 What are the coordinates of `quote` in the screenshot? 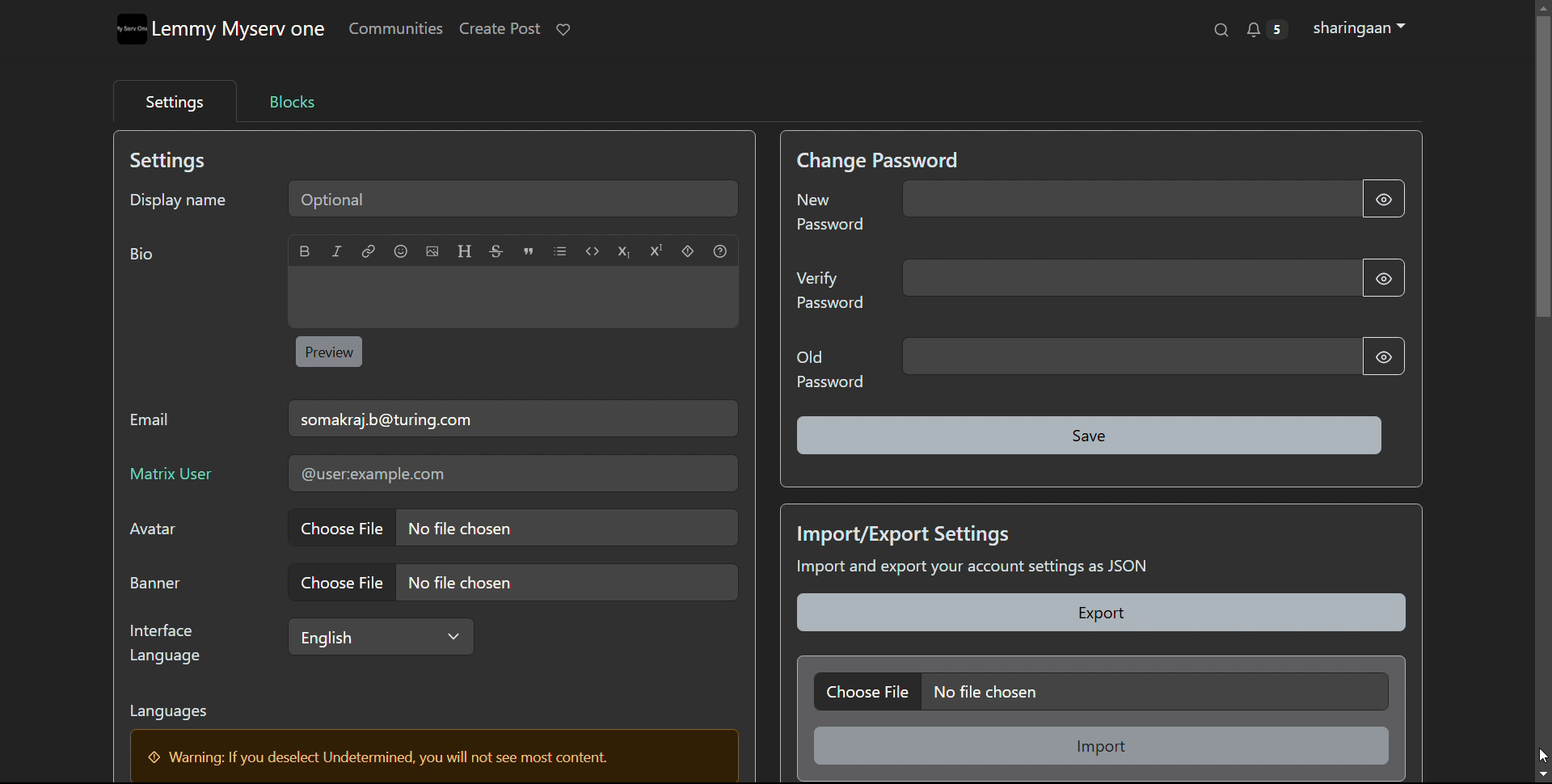 It's located at (527, 251).